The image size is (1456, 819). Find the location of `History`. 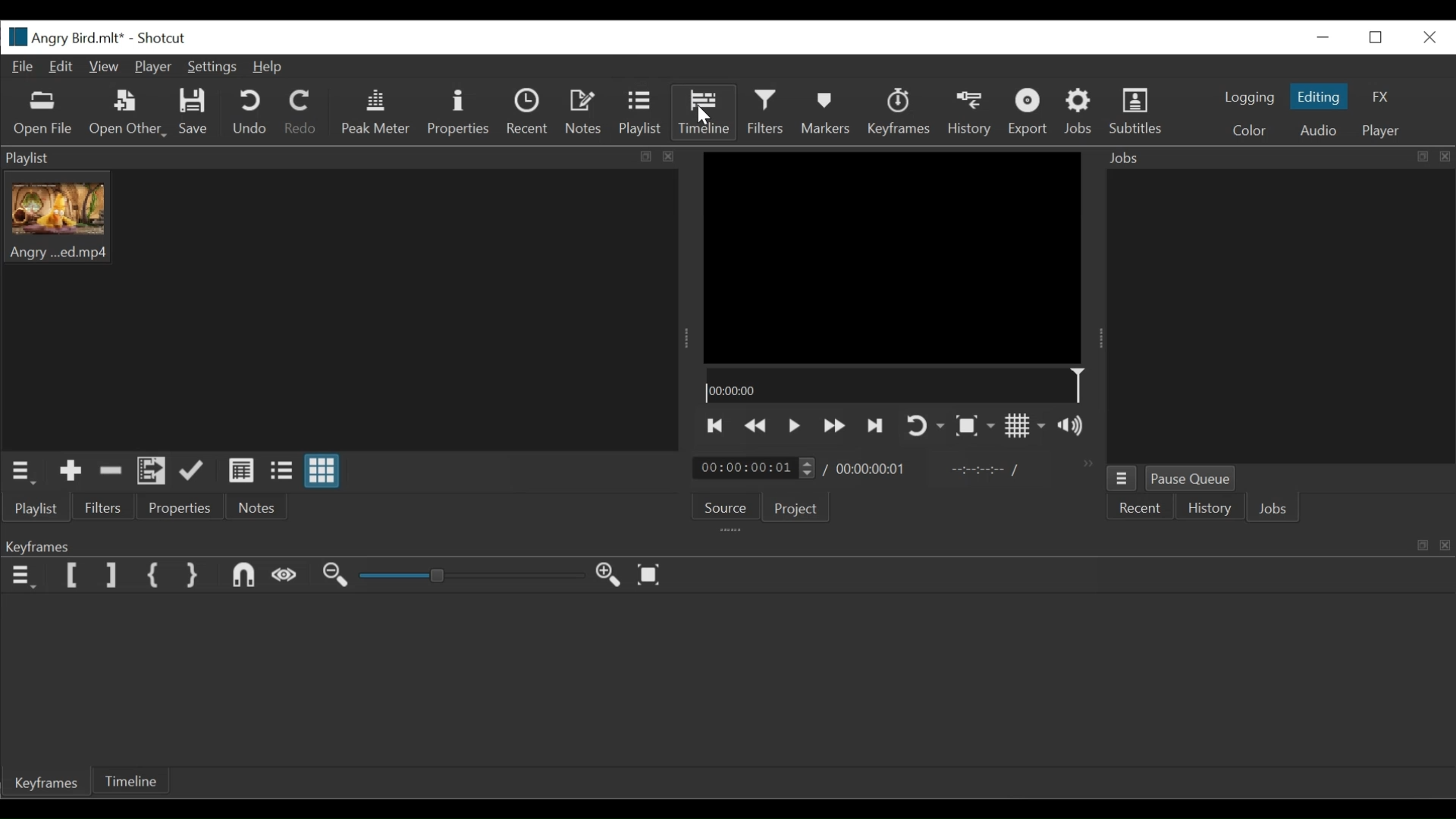

History is located at coordinates (1210, 508).